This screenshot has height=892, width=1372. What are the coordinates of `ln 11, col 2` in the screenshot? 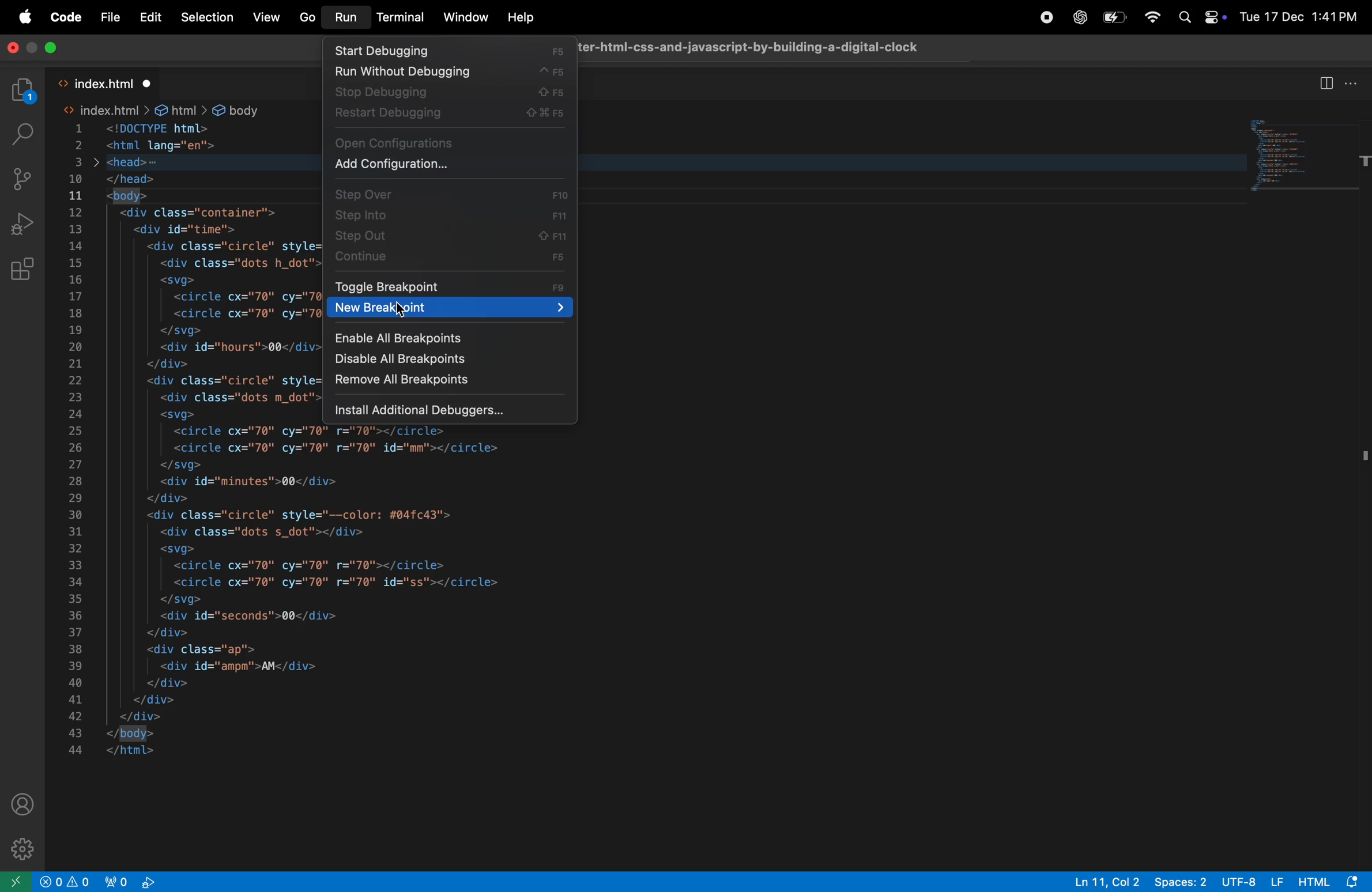 It's located at (1104, 881).